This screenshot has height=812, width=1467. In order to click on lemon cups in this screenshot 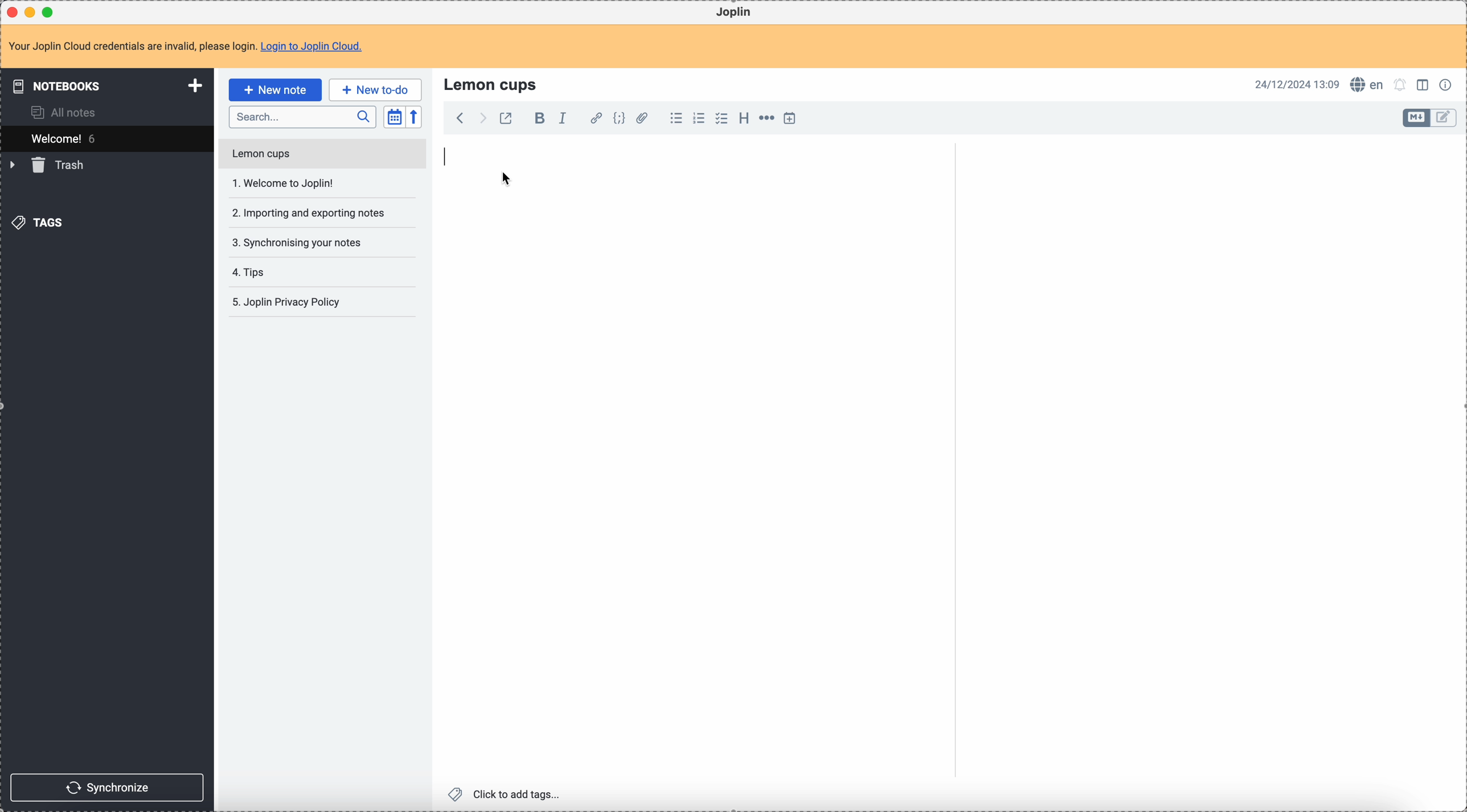, I will do `click(321, 156)`.